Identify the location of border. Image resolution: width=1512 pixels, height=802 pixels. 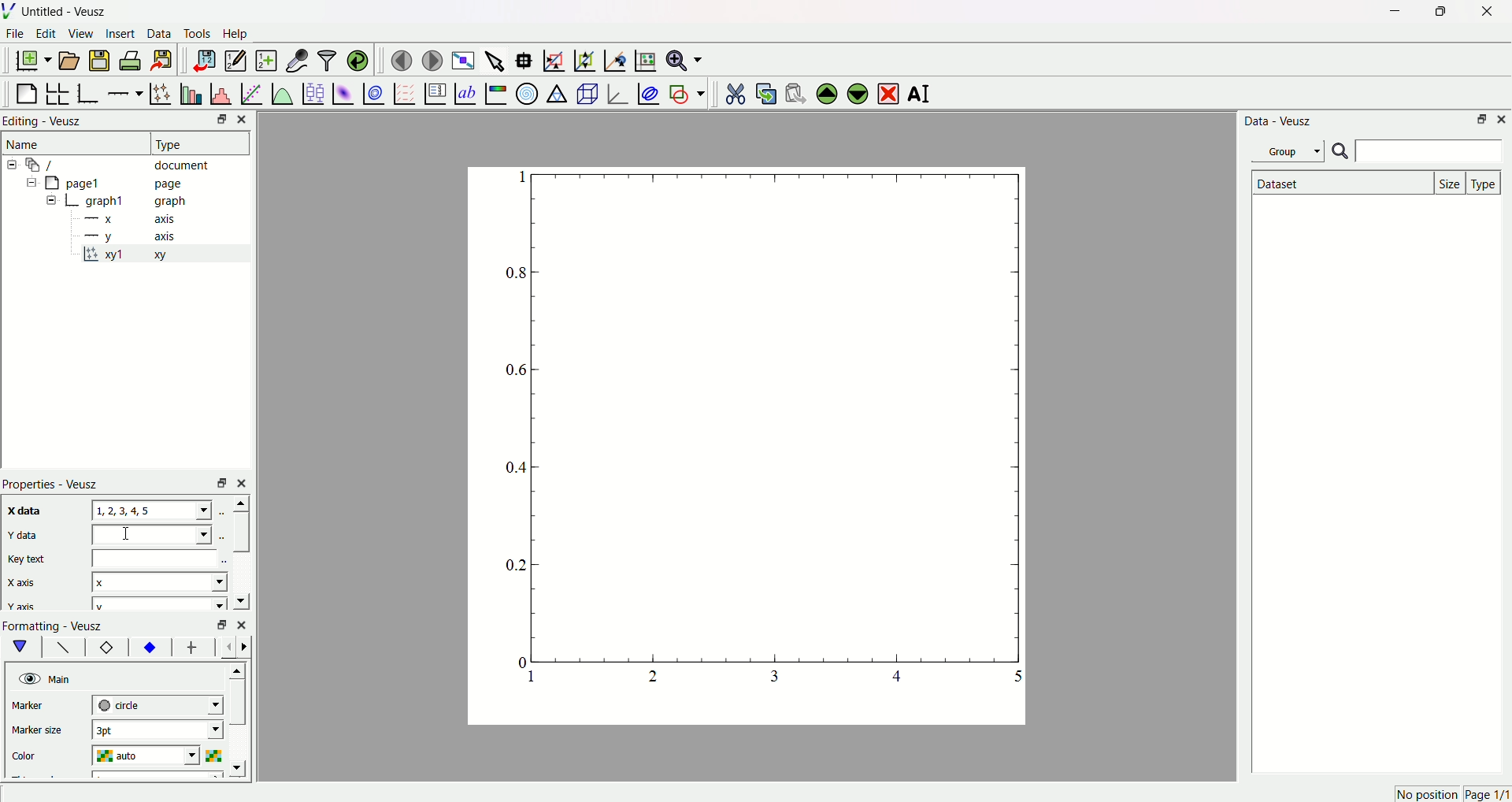
(106, 648).